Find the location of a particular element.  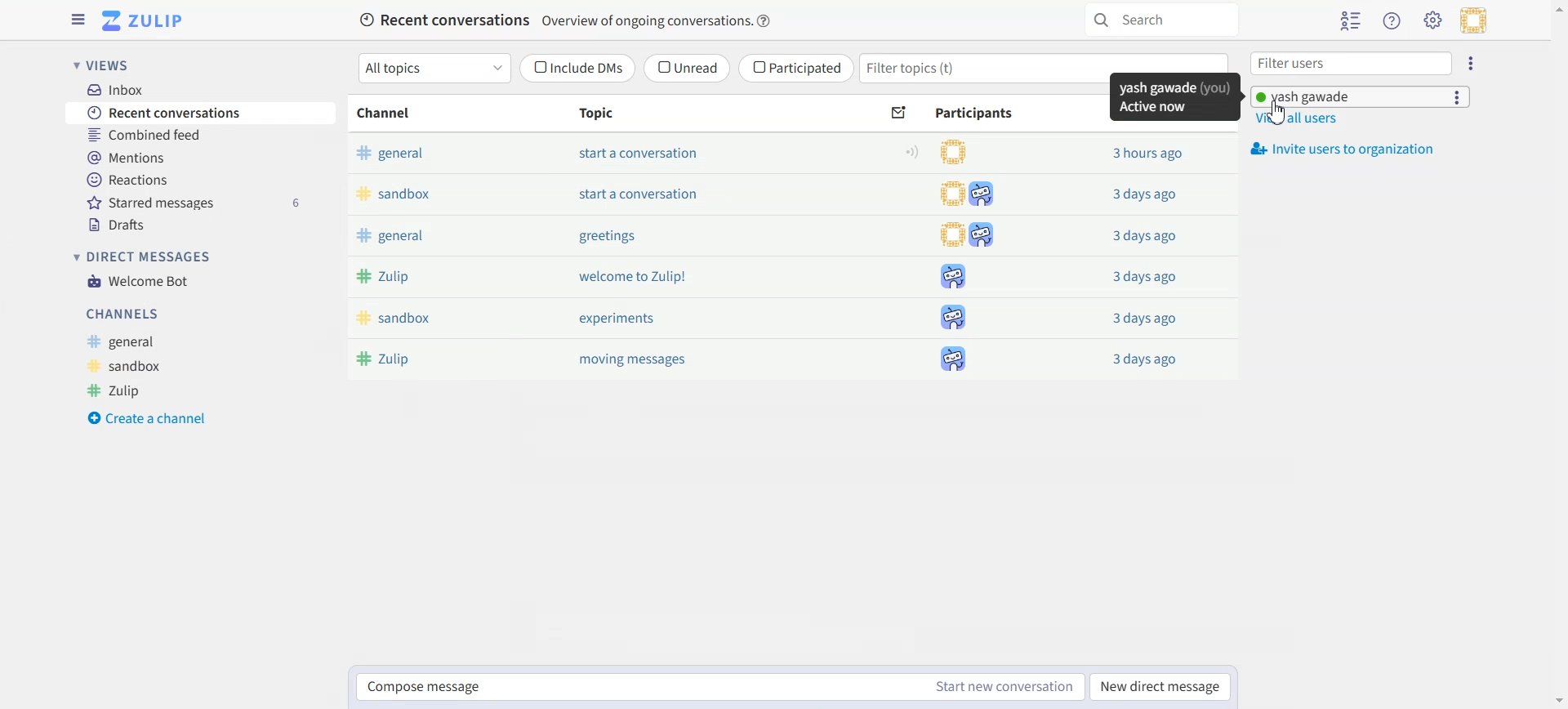

start a conversation is located at coordinates (654, 158).